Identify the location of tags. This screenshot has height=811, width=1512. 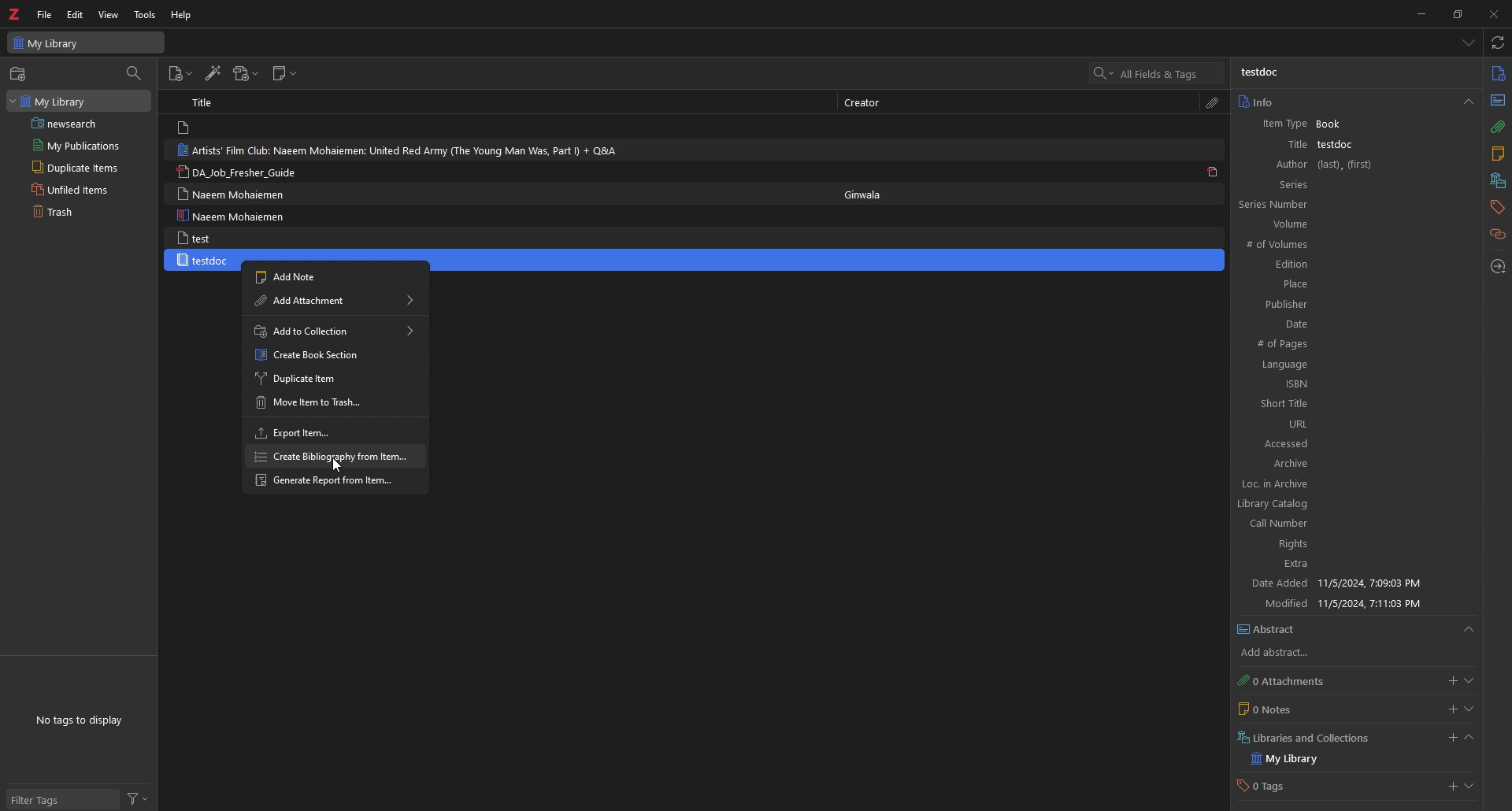
(1496, 207).